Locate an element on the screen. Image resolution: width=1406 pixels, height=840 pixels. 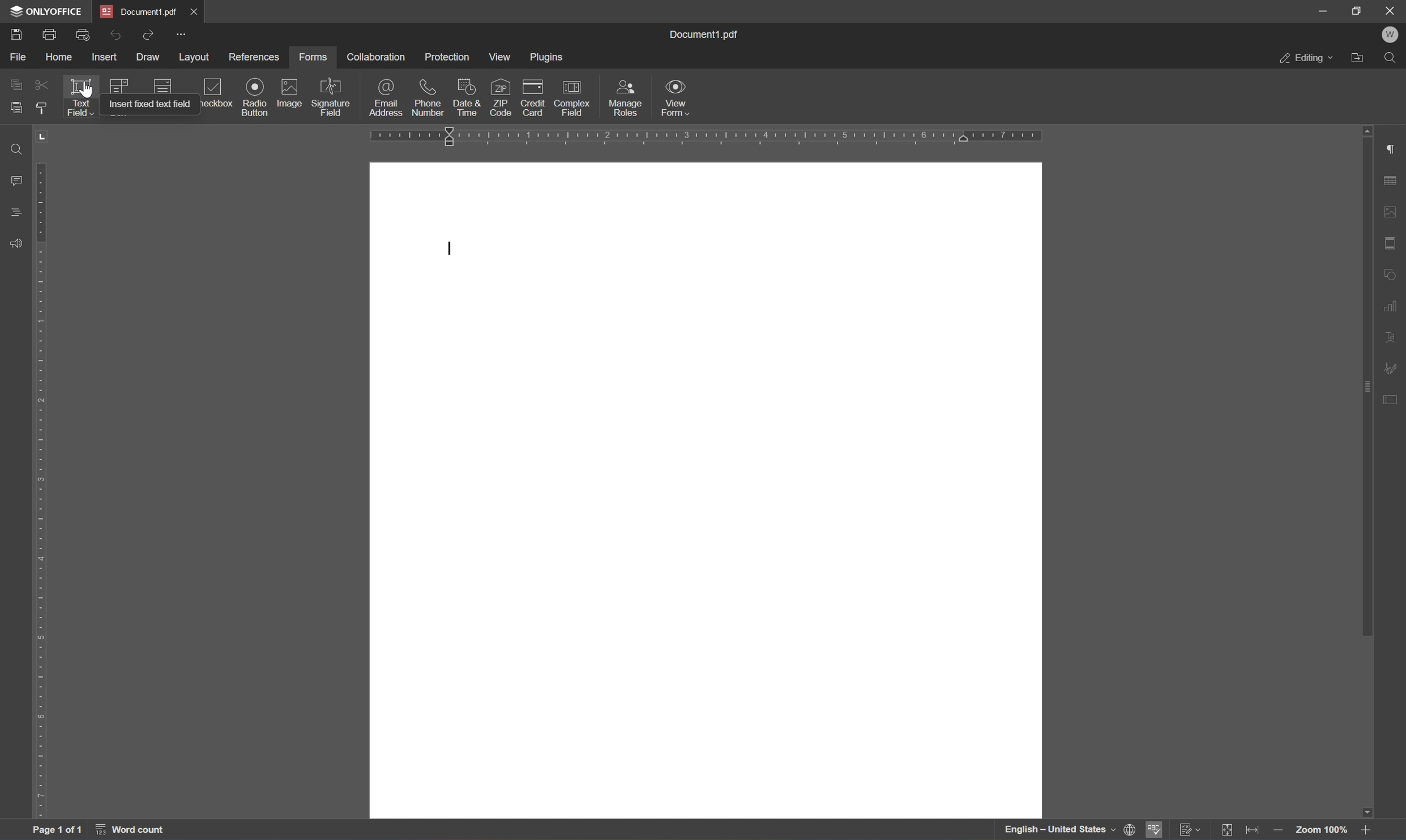
paste is located at coordinates (16, 108).